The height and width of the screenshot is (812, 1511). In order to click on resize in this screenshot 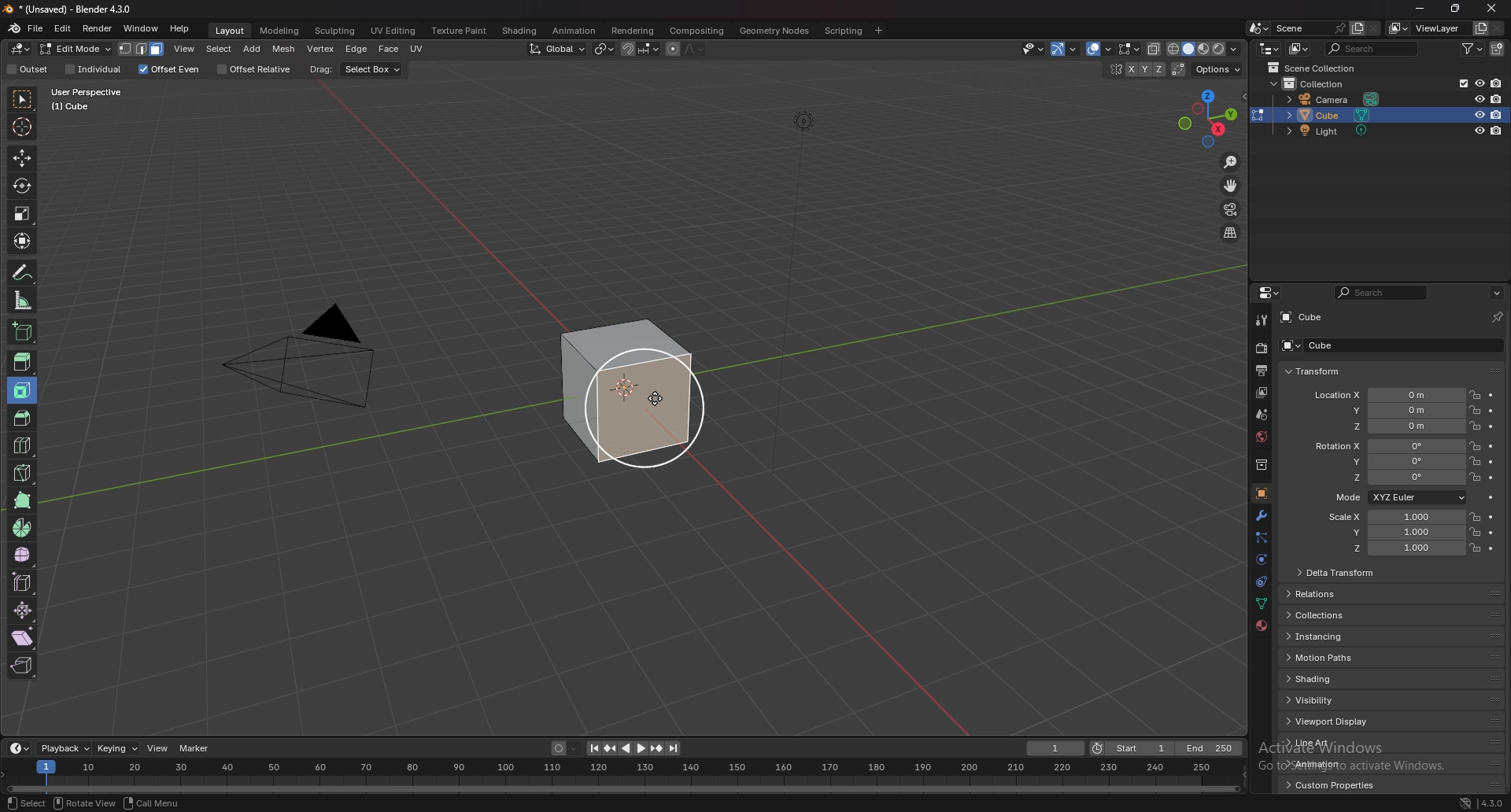, I will do `click(1454, 9)`.